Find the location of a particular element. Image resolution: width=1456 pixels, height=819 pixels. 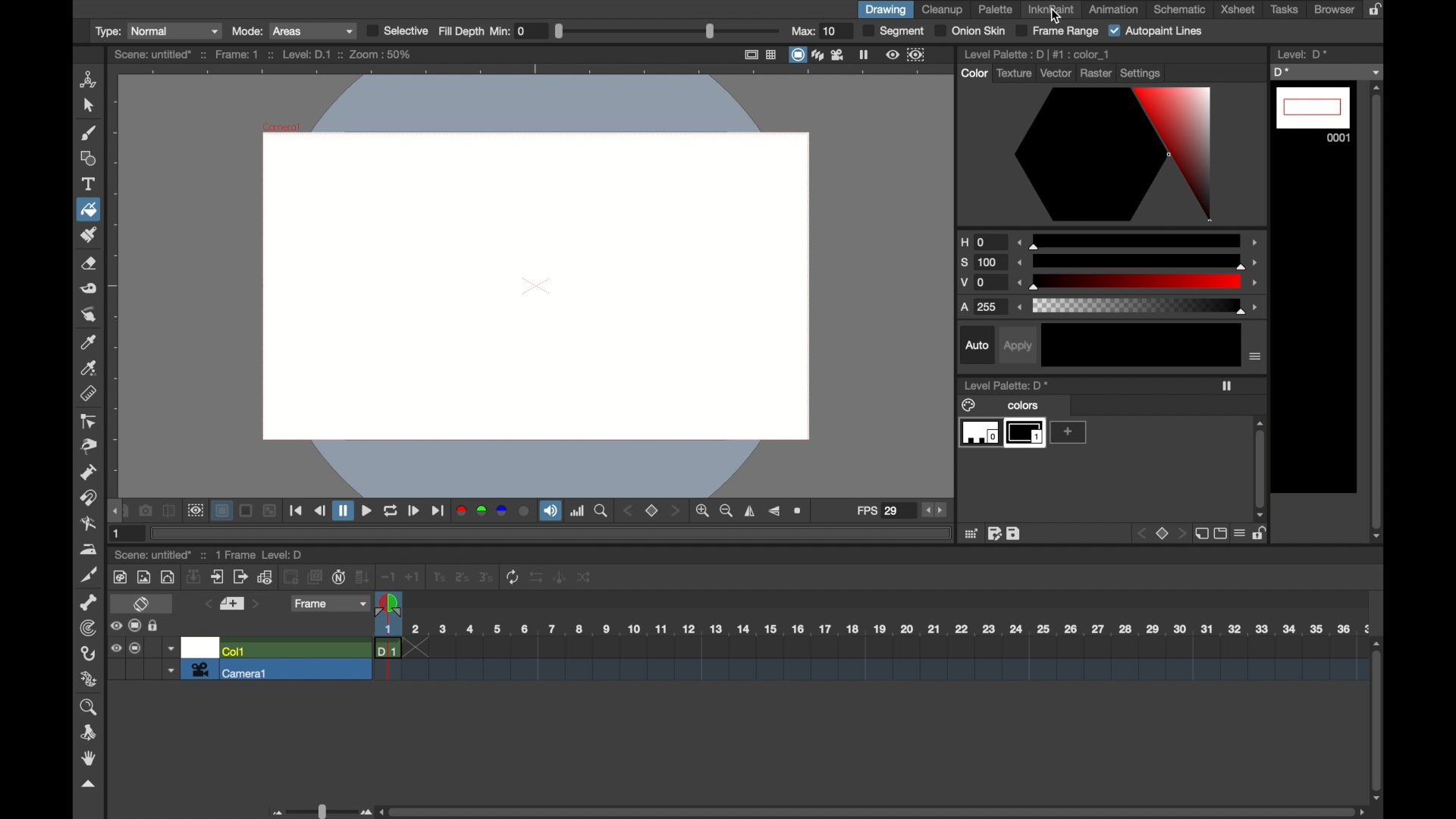

palette is located at coordinates (996, 9).